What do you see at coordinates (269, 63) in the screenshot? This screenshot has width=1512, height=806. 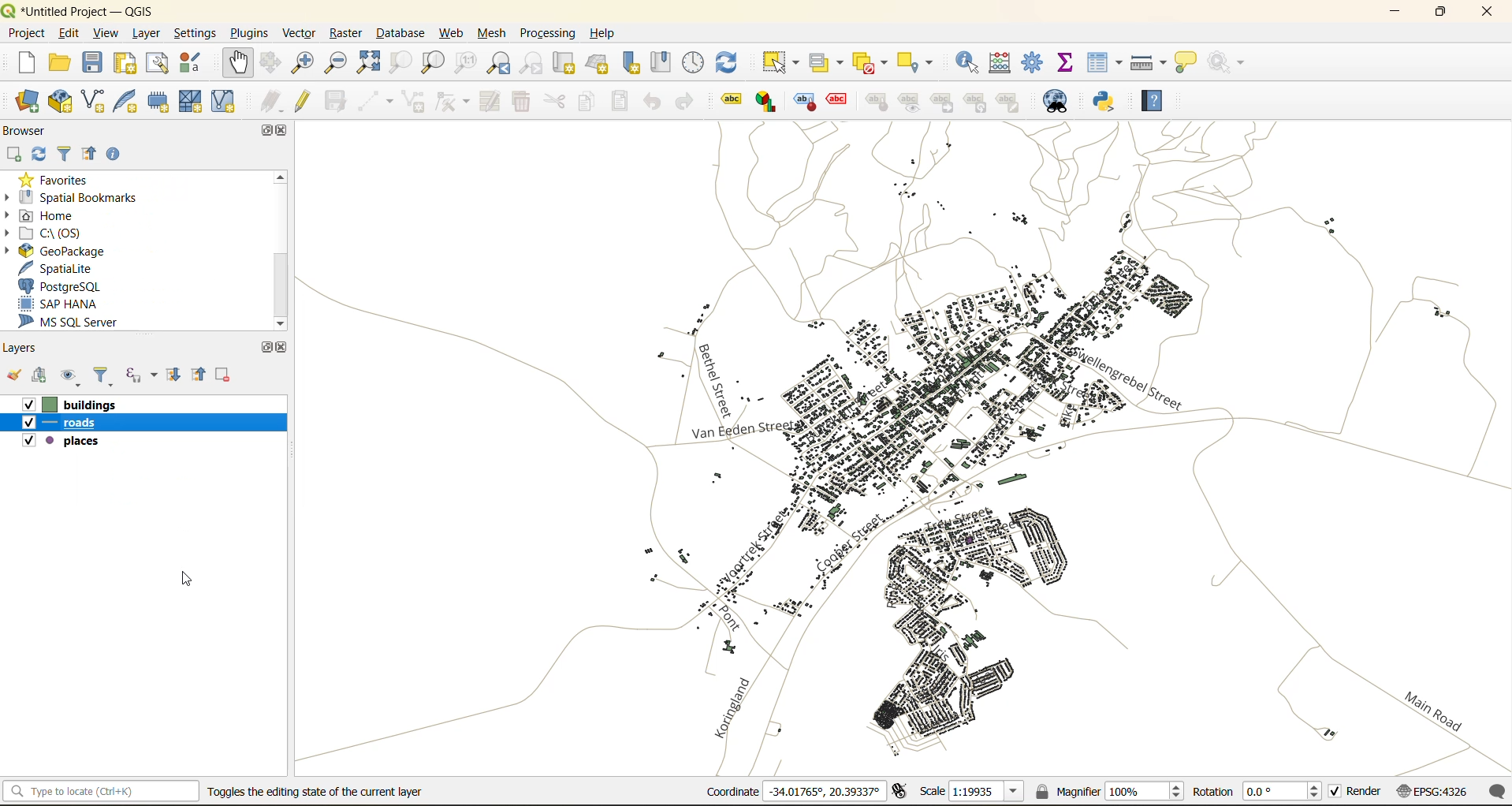 I see `pan selection` at bounding box center [269, 63].